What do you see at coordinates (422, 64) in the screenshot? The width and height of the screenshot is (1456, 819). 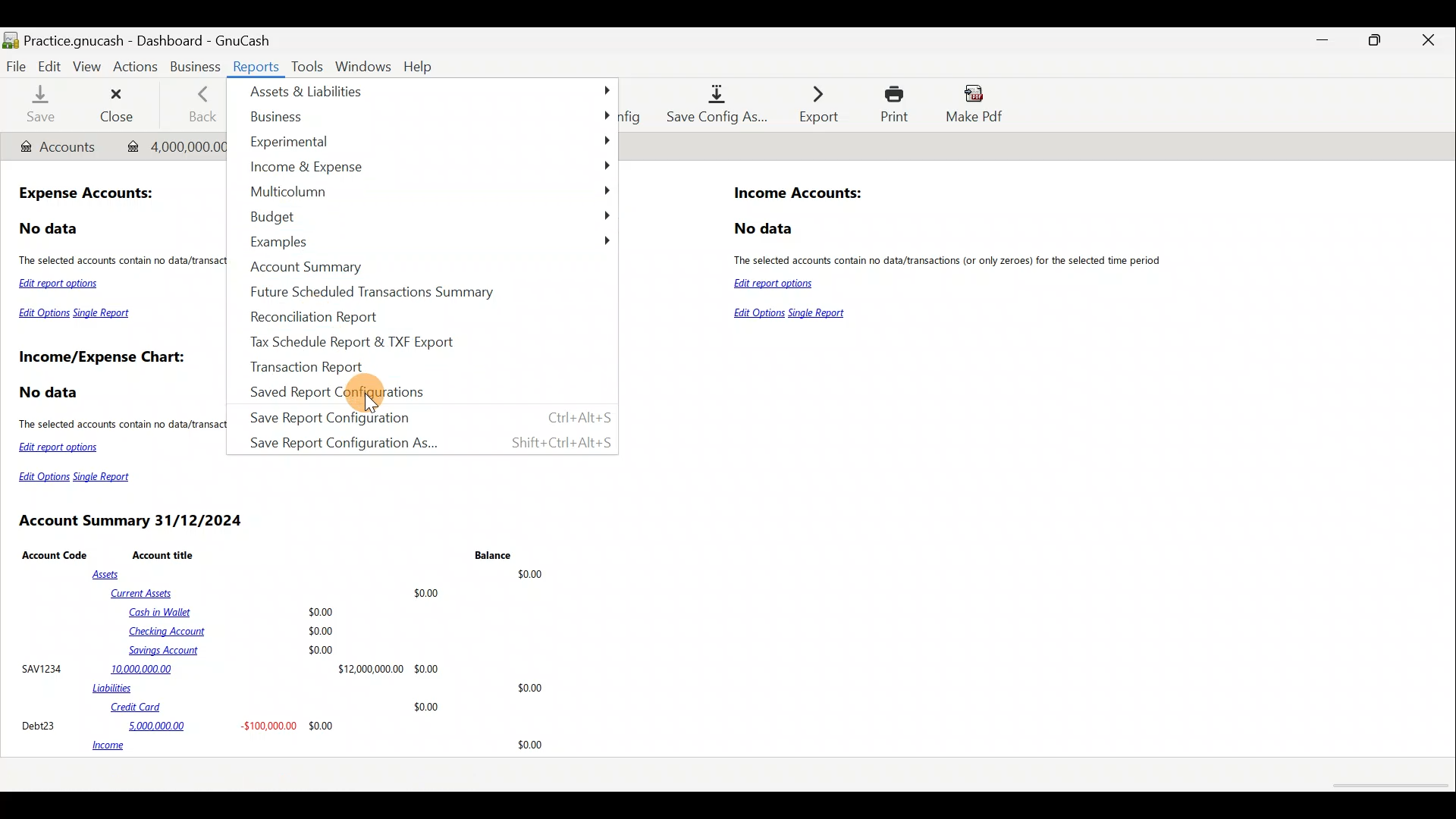 I see `Help` at bounding box center [422, 64].